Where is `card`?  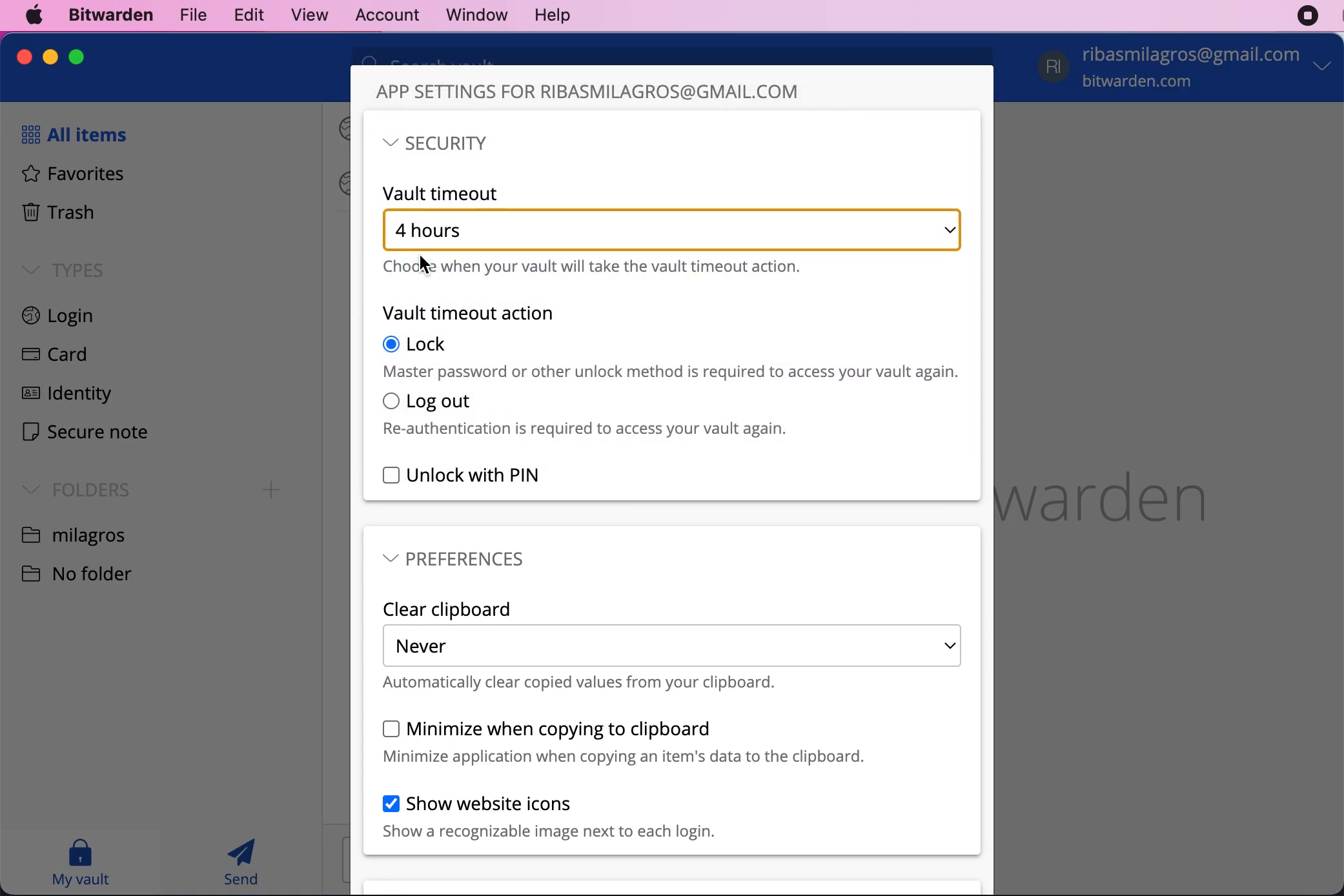 card is located at coordinates (50, 356).